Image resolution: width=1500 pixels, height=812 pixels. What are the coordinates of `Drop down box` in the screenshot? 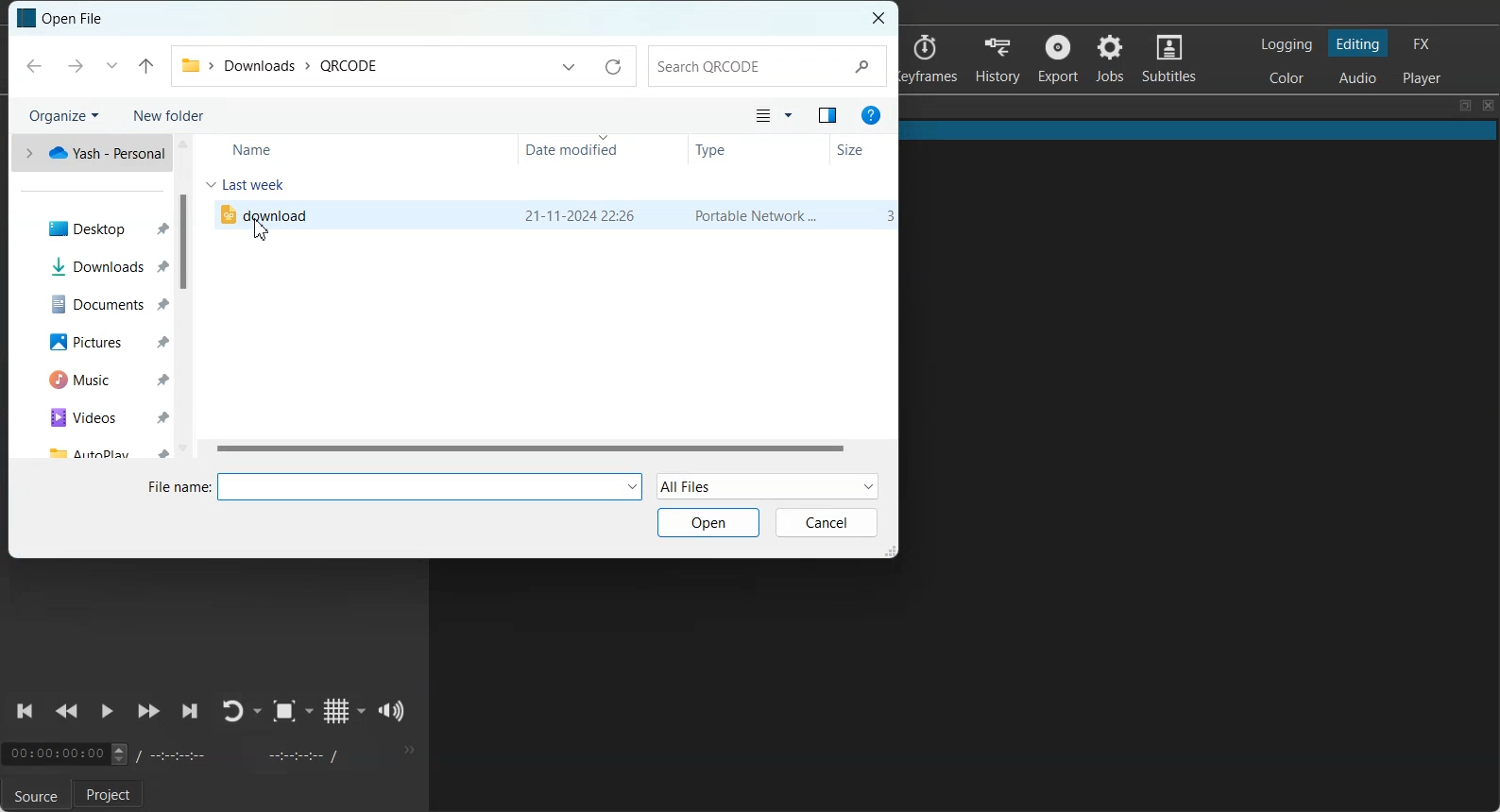 It's located at (310, 711).